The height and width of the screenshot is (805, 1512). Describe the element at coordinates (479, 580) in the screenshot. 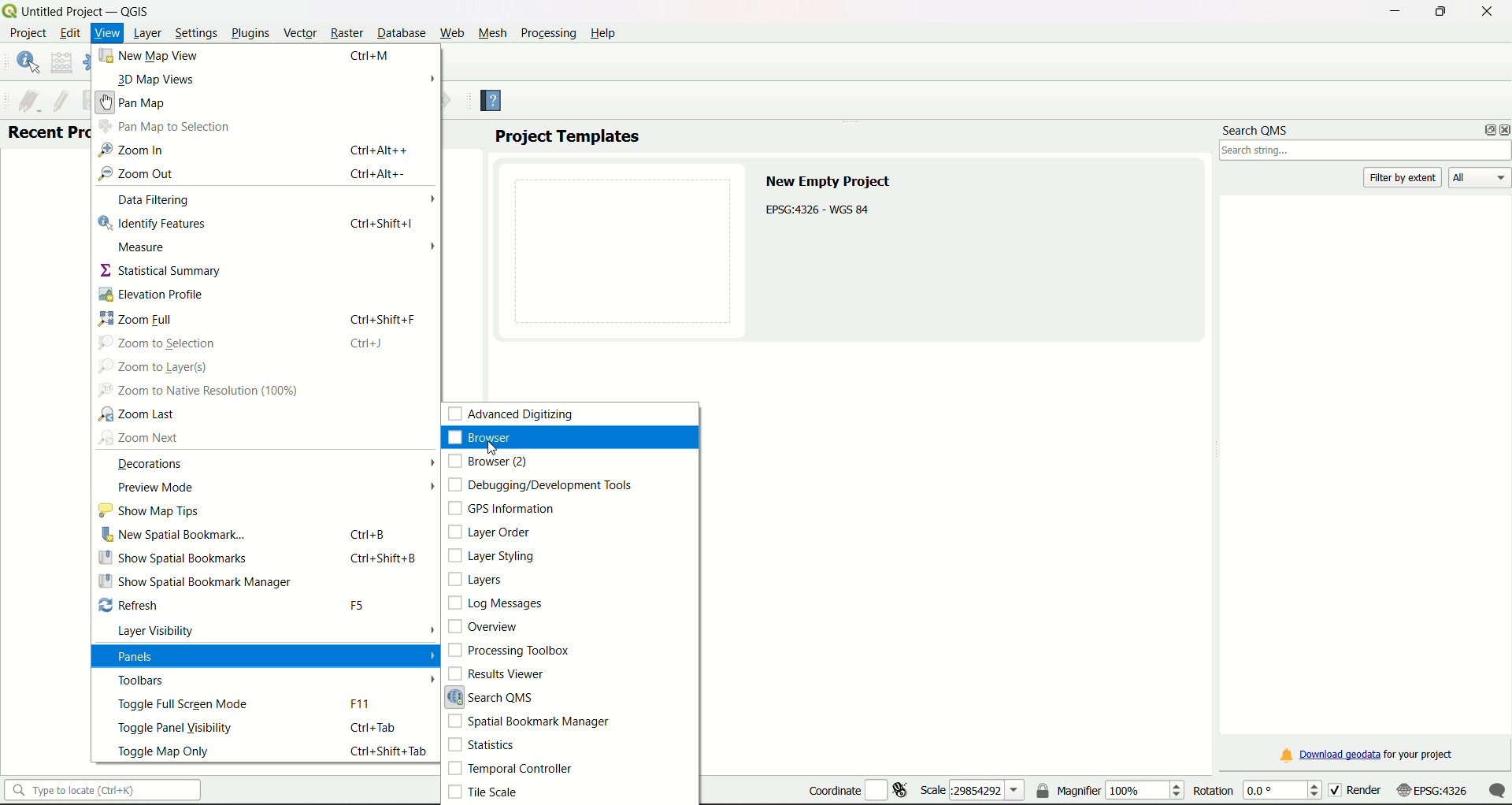

I see `Layers` at that location.